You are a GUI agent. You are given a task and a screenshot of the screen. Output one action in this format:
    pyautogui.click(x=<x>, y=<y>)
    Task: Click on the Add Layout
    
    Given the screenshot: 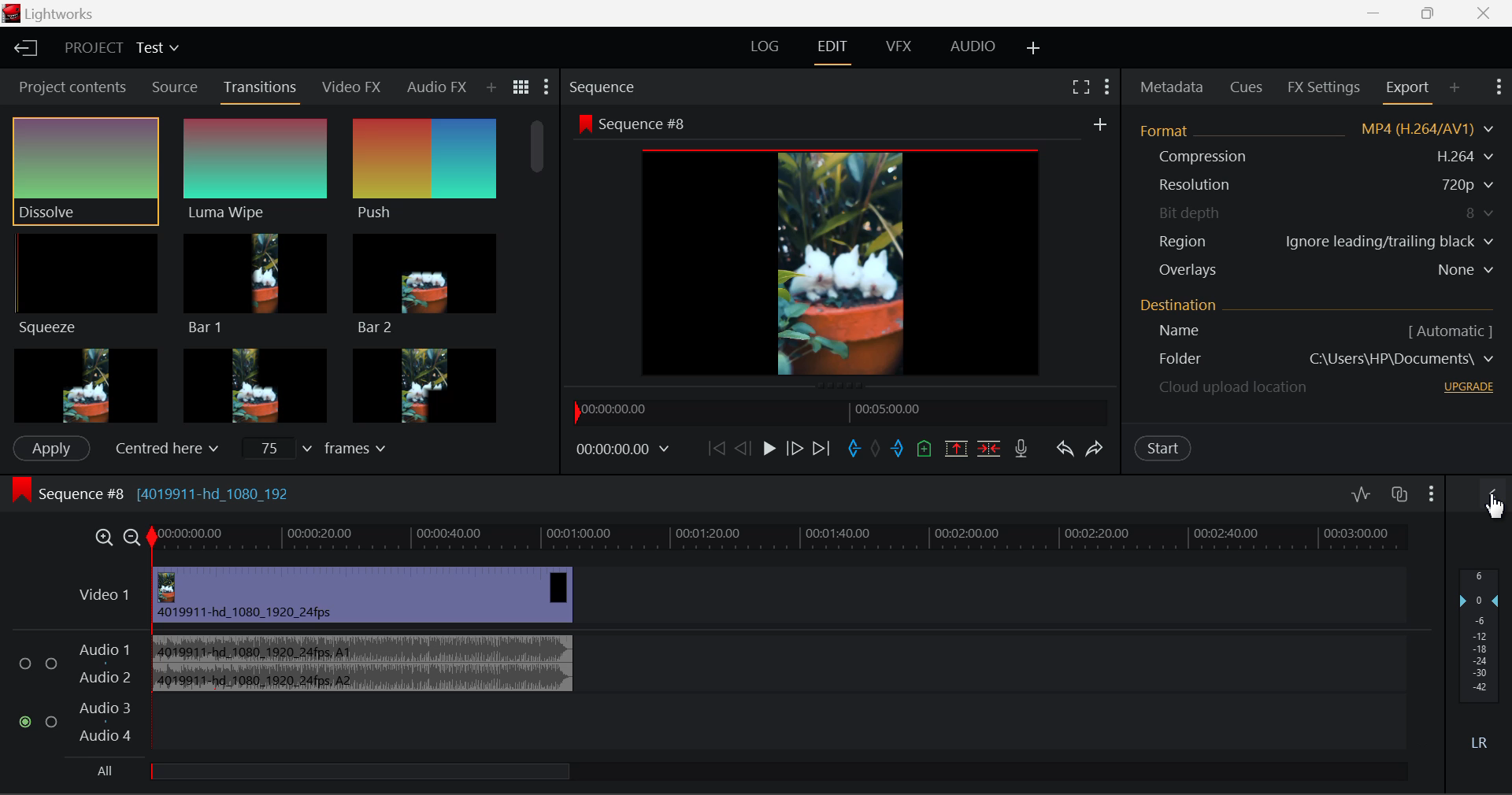 What is the action you would take?
    pyautogui.click(x=1034, y=46)
    